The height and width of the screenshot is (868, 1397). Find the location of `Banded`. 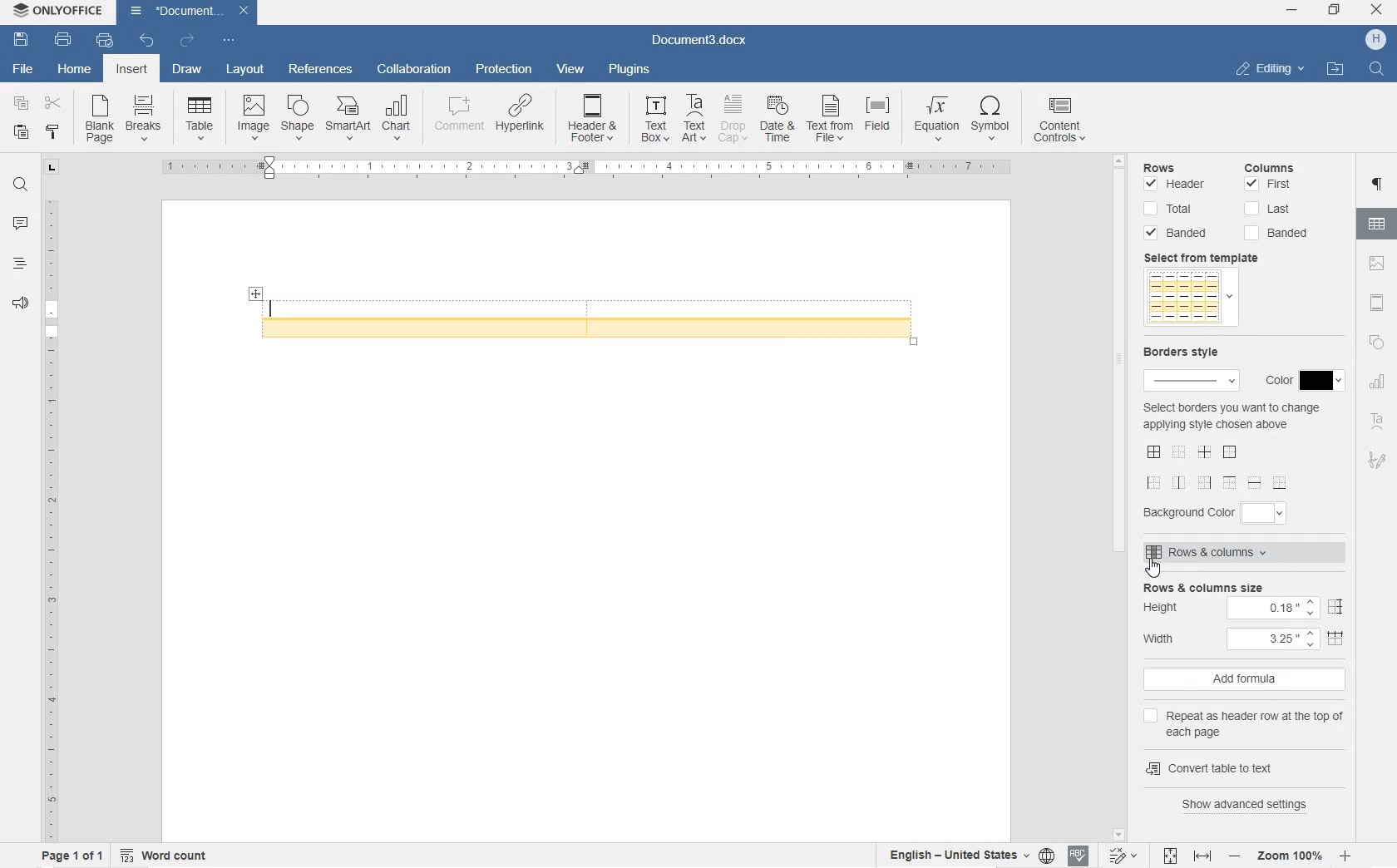

Banded is located at coordinates (1179, 234).